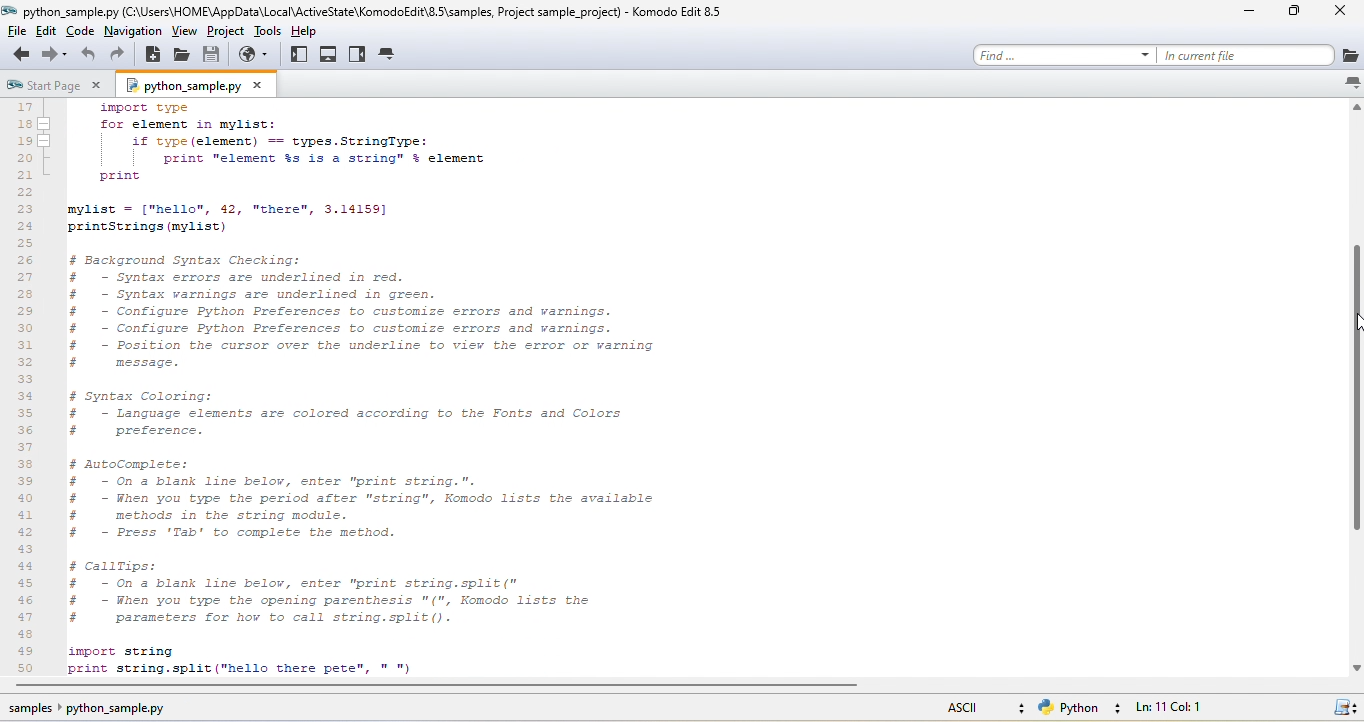 This screenshot has width=1364, height=722. Describe the element at coordinates (82, 31) in the screenshot. I see `code` at that location.